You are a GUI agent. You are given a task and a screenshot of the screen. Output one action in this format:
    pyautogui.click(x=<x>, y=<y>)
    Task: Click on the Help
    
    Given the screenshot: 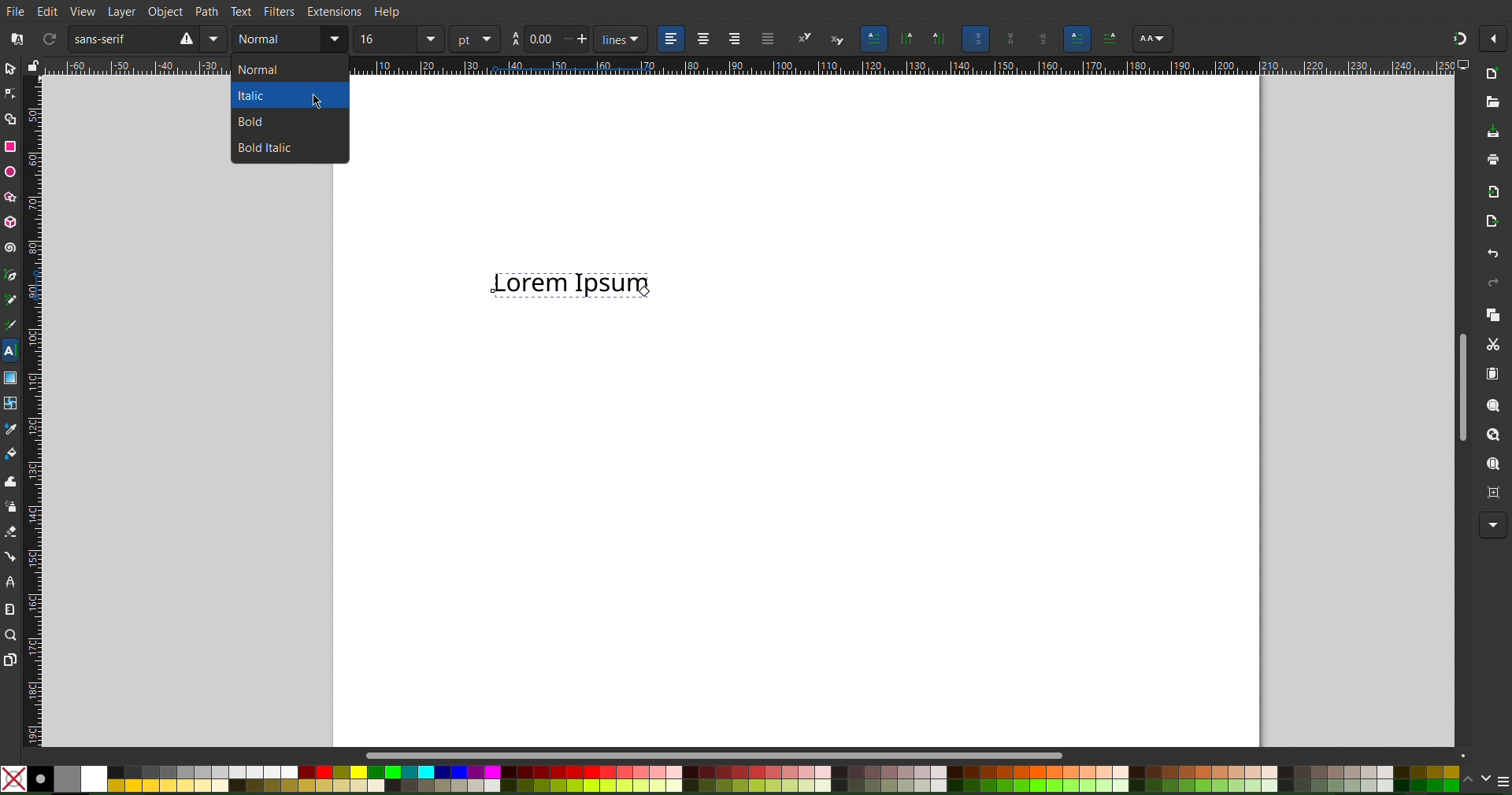 What is the action you would take?
    pyautogui.click(x=387, y=11)
    